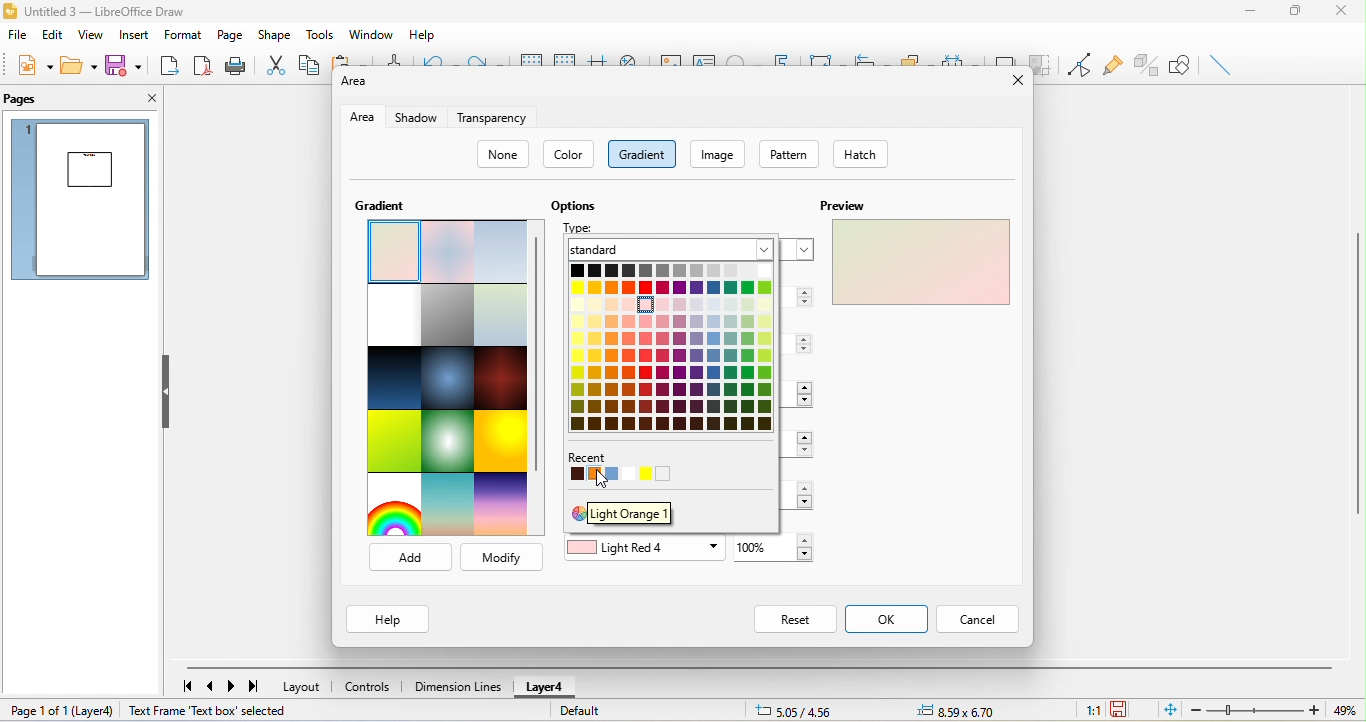 This screenshot has height=722, width=1366. Describe the element at coordinates (1277, 709) in the screenshot. I see `zoom` at that location.